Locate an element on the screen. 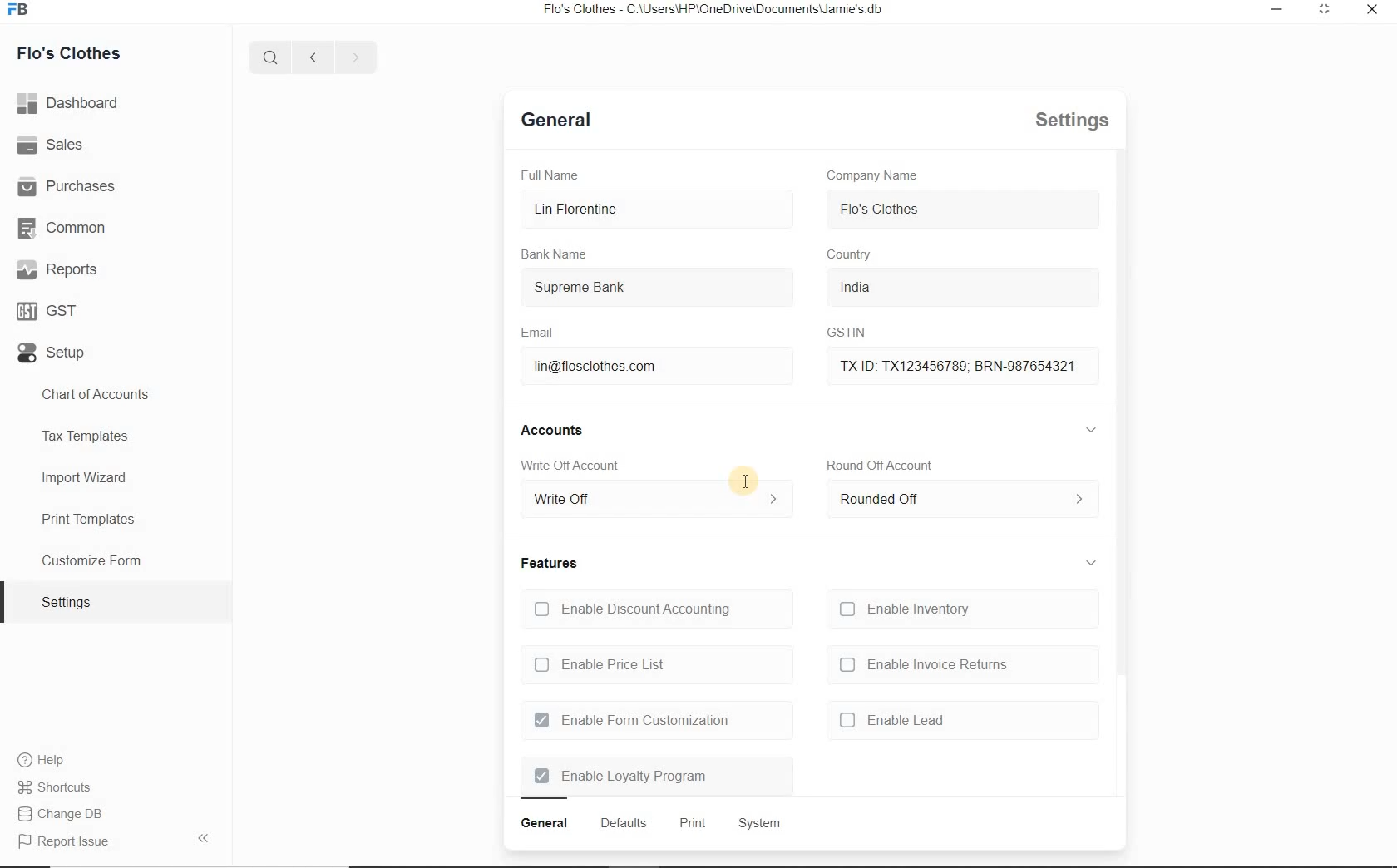 The height and width of the screenshot is (868, 1397). General is located at coordinates (543, 823).